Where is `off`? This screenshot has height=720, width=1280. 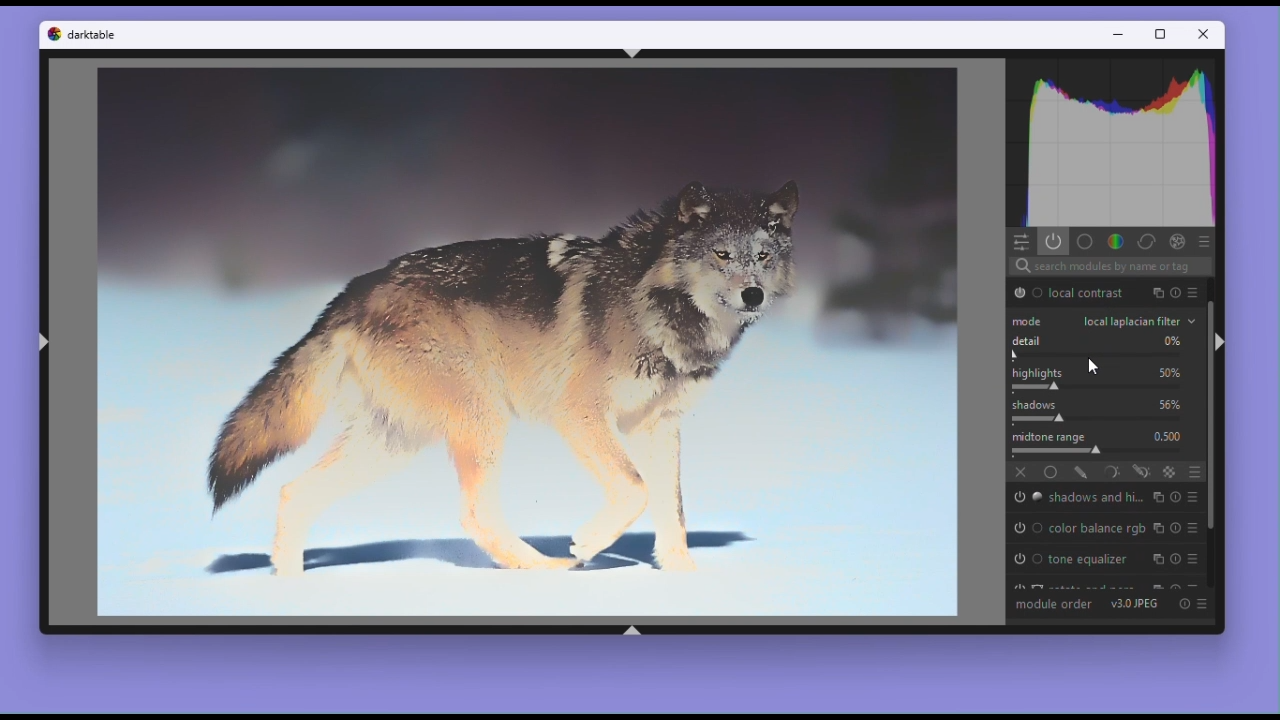 off is located at coordinates (1021, 475).